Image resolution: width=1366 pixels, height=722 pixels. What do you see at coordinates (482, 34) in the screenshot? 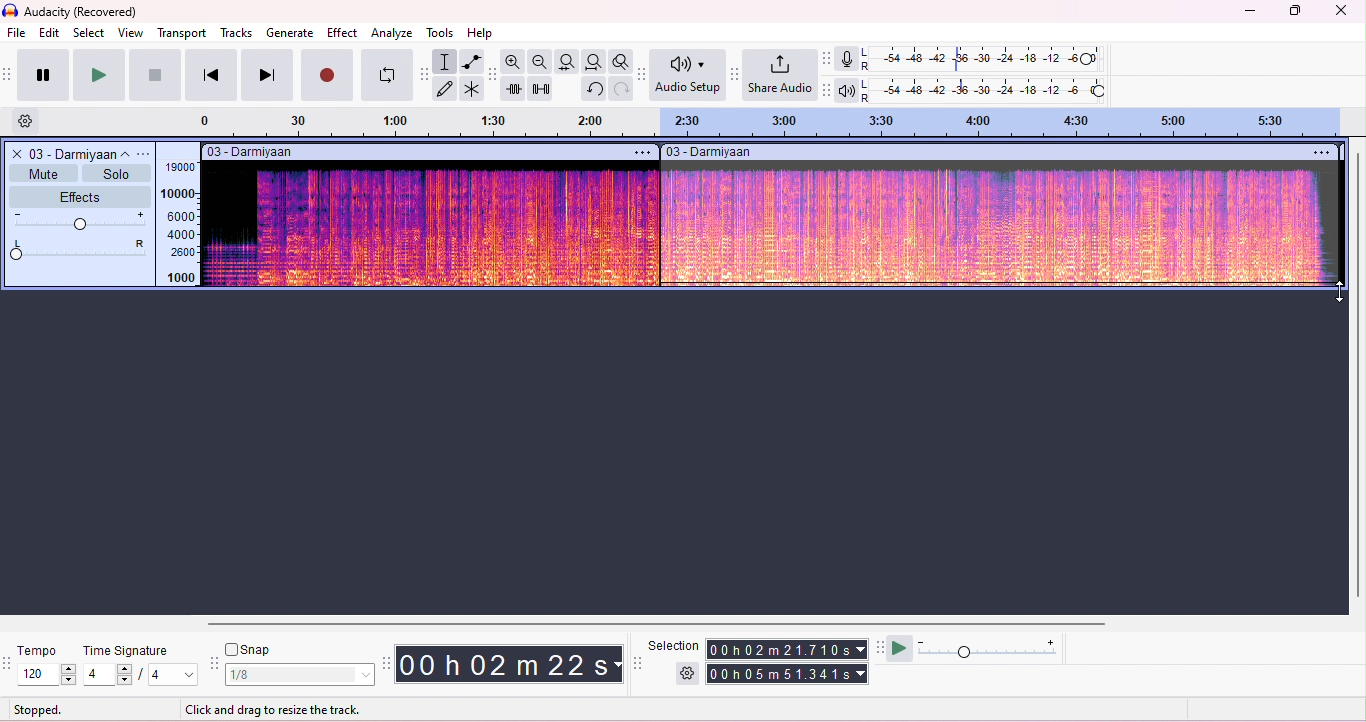
I see `help` at bounding box center [482, 34].